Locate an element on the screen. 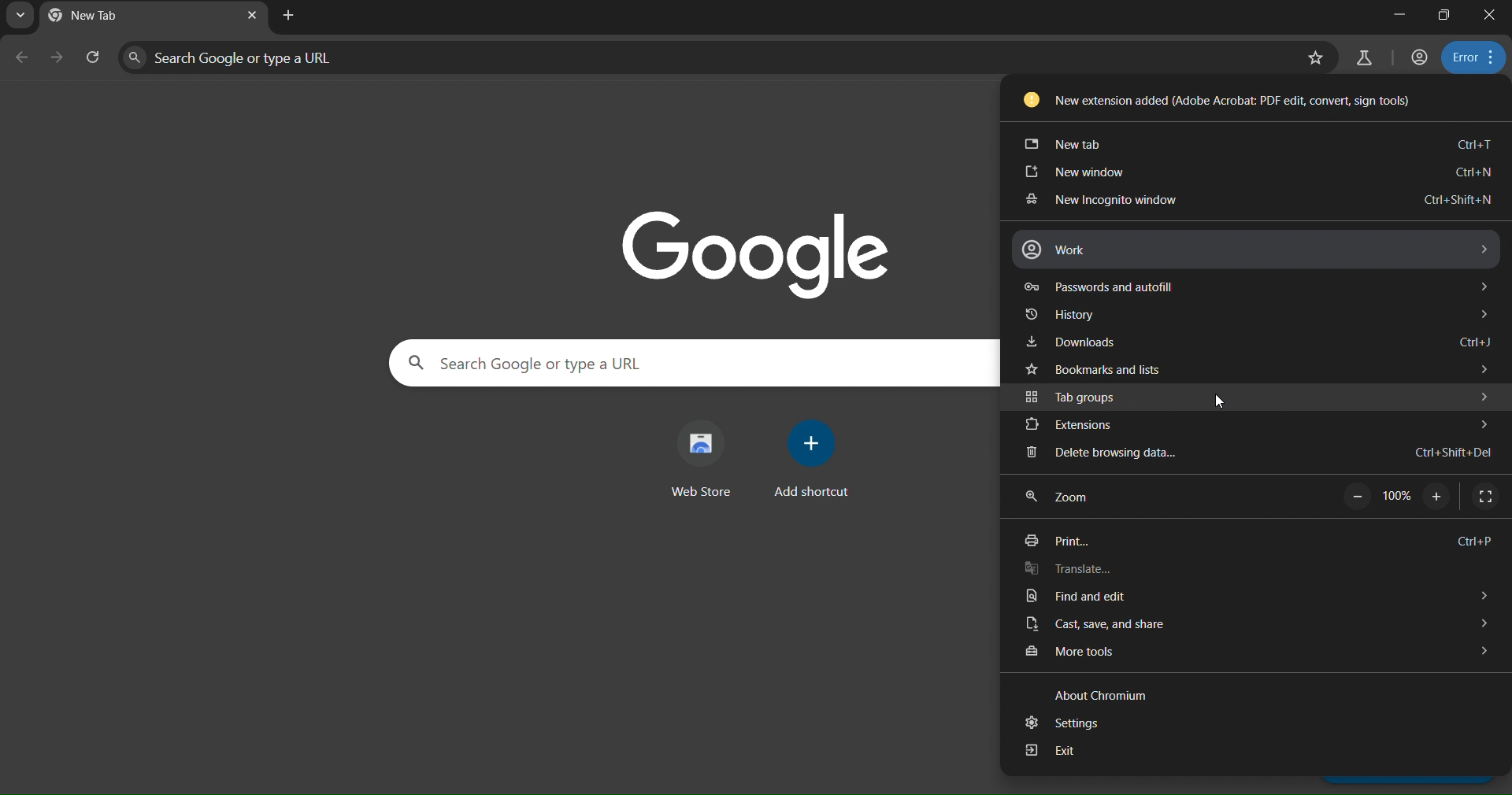  cursor is located at coordinates (1225, 402).